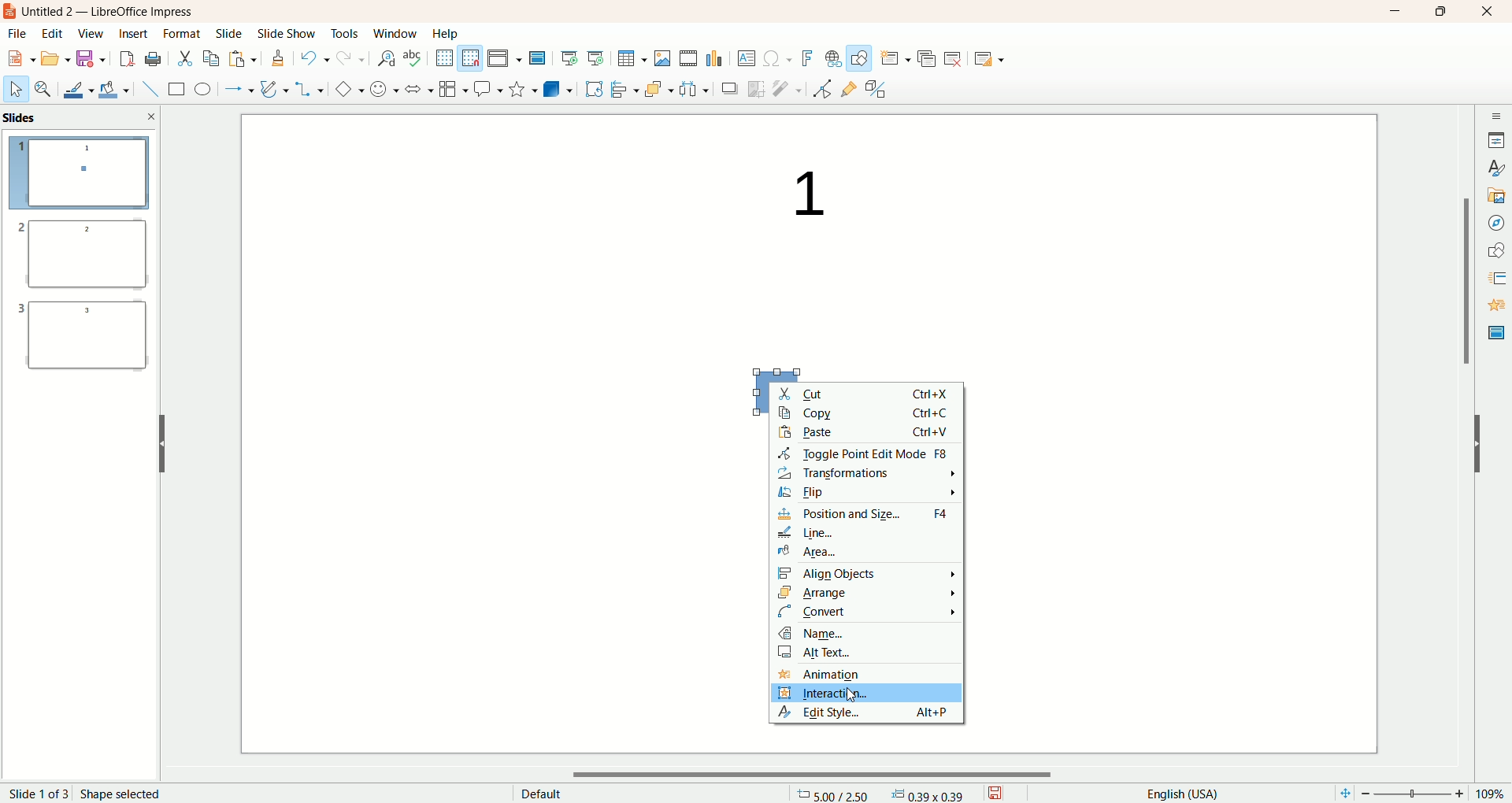  Describe the element at coordinates (999, 61) in the screenshot. I see `slide layout` at that location.